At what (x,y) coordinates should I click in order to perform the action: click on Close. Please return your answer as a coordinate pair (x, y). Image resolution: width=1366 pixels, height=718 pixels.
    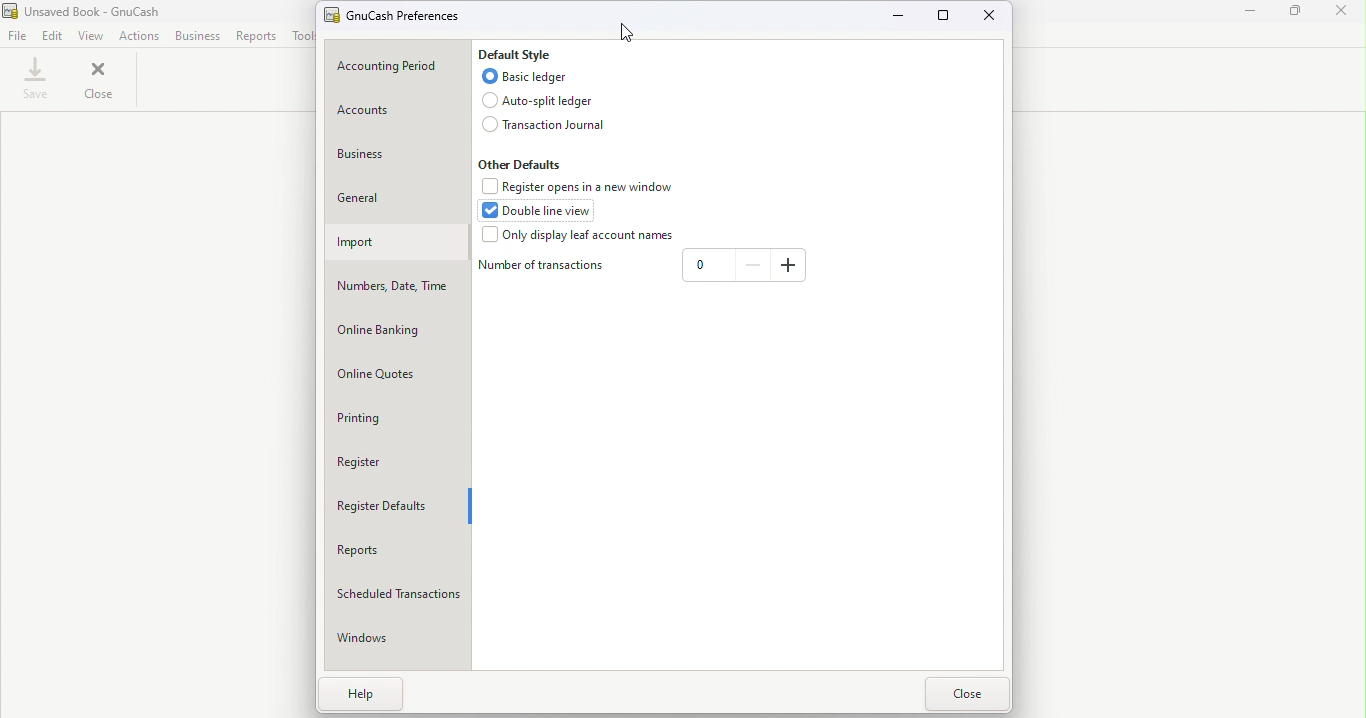
    Looking at the image, I should click on (992, 17).